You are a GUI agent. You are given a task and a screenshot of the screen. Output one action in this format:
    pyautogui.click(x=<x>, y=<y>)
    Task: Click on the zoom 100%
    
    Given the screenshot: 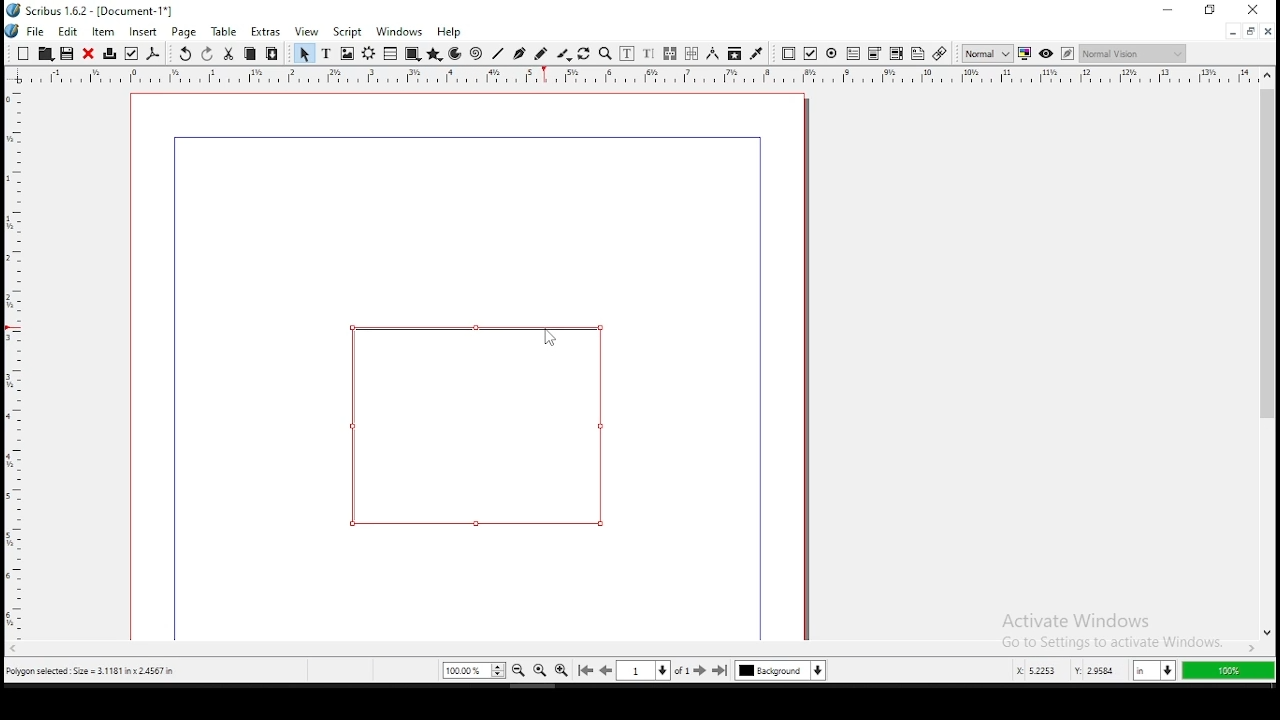 What is the action you would take?
    pyautogui.click(x=474, y=670)
    